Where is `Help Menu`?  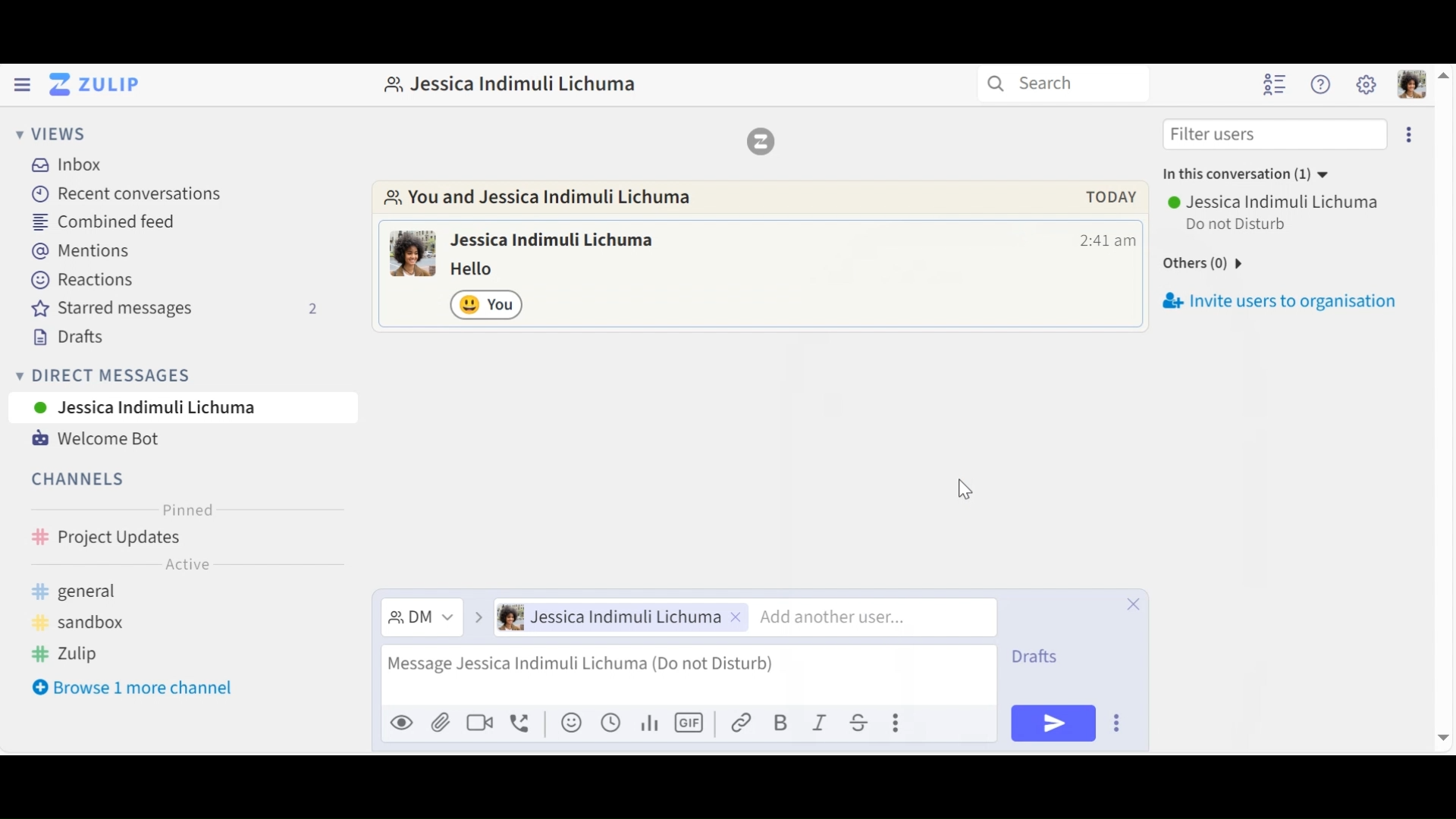
Help Menu is located at coordinates (1321, 83).